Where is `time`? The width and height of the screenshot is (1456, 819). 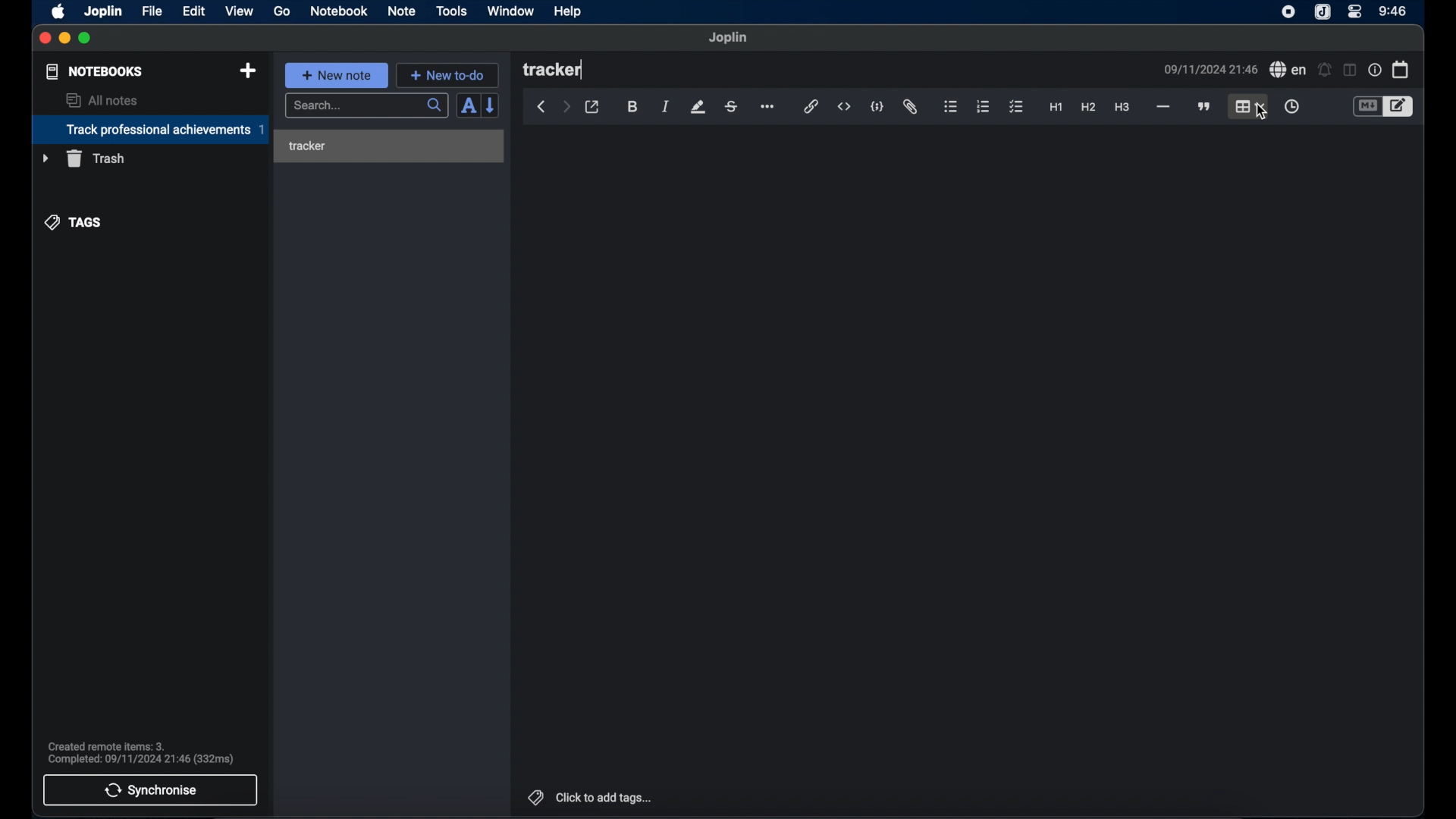
time is located at coordinates (1393, 11).